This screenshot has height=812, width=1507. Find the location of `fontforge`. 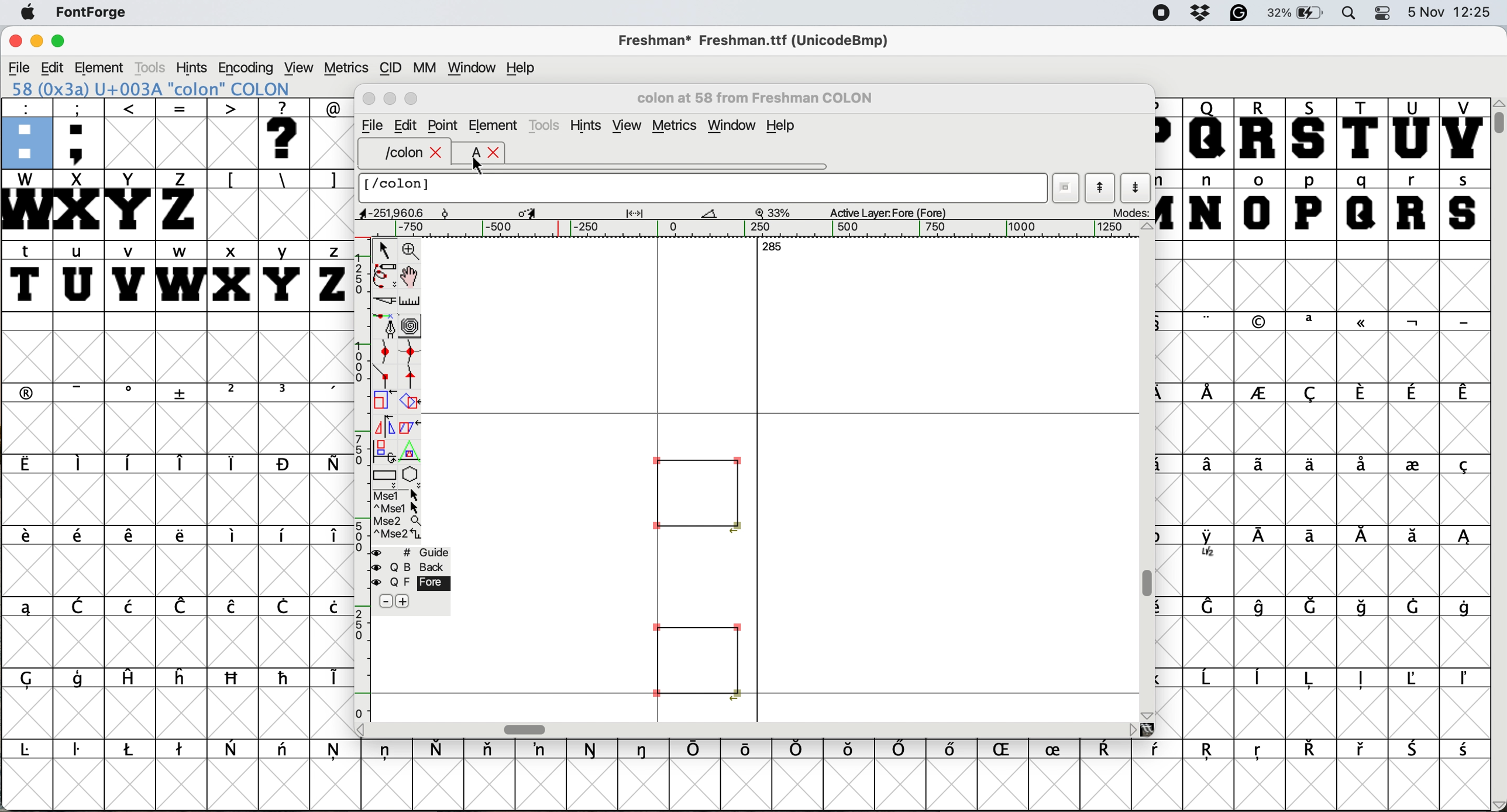

fontforge is located at coordinates (88, 13).